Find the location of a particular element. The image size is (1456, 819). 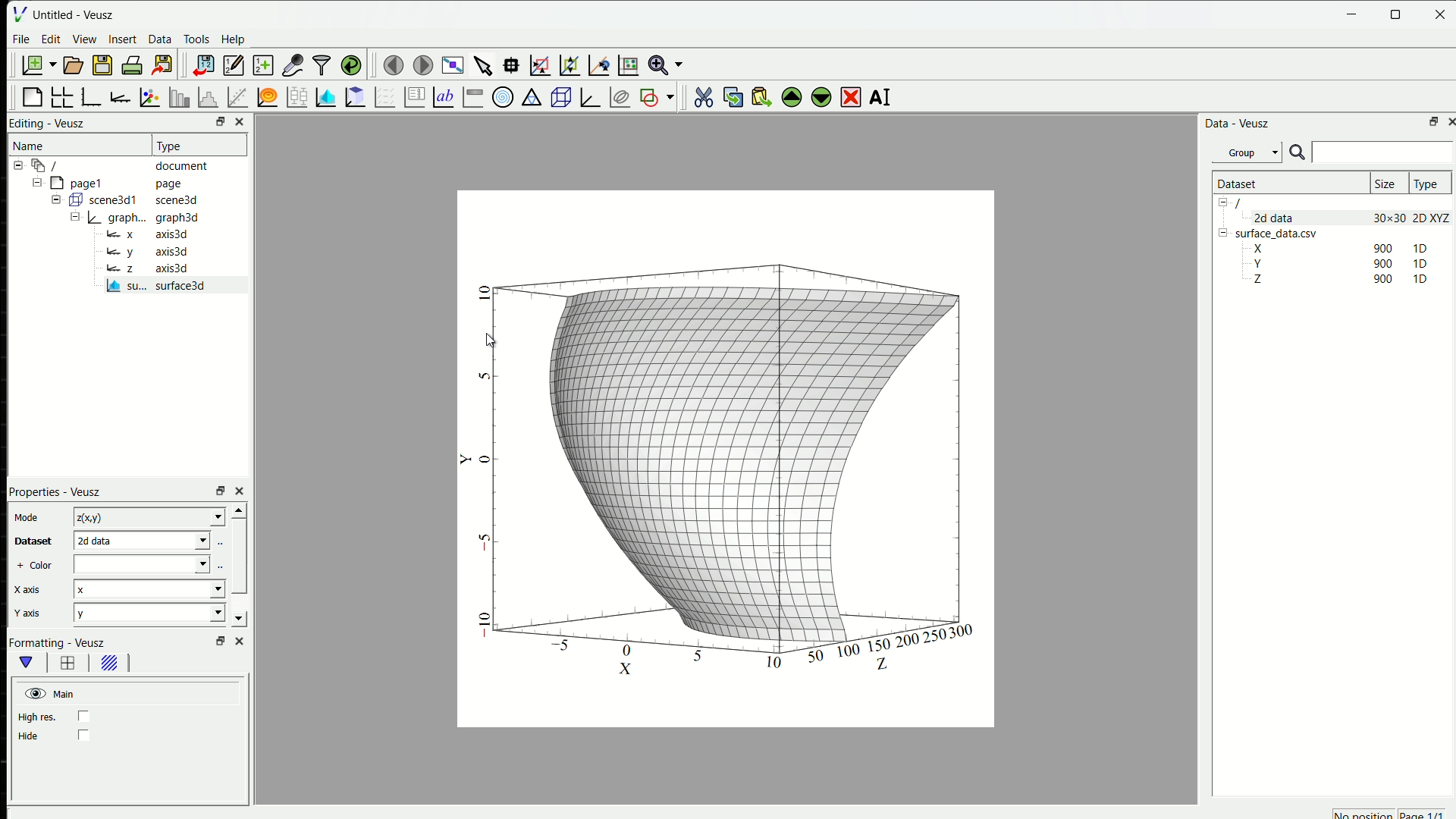

new document is located at coordinates (39, 64).